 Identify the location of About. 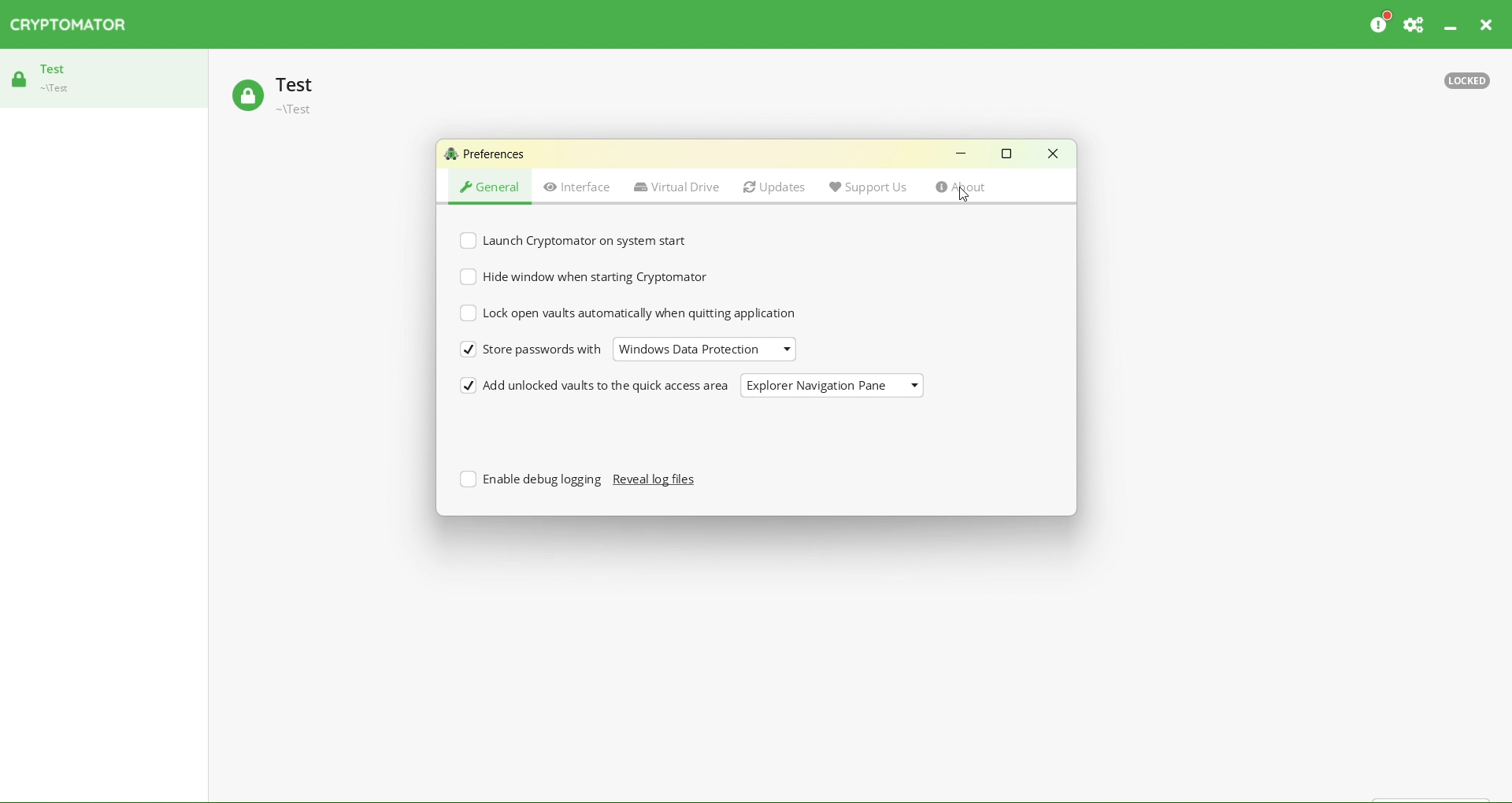
(976, 189).